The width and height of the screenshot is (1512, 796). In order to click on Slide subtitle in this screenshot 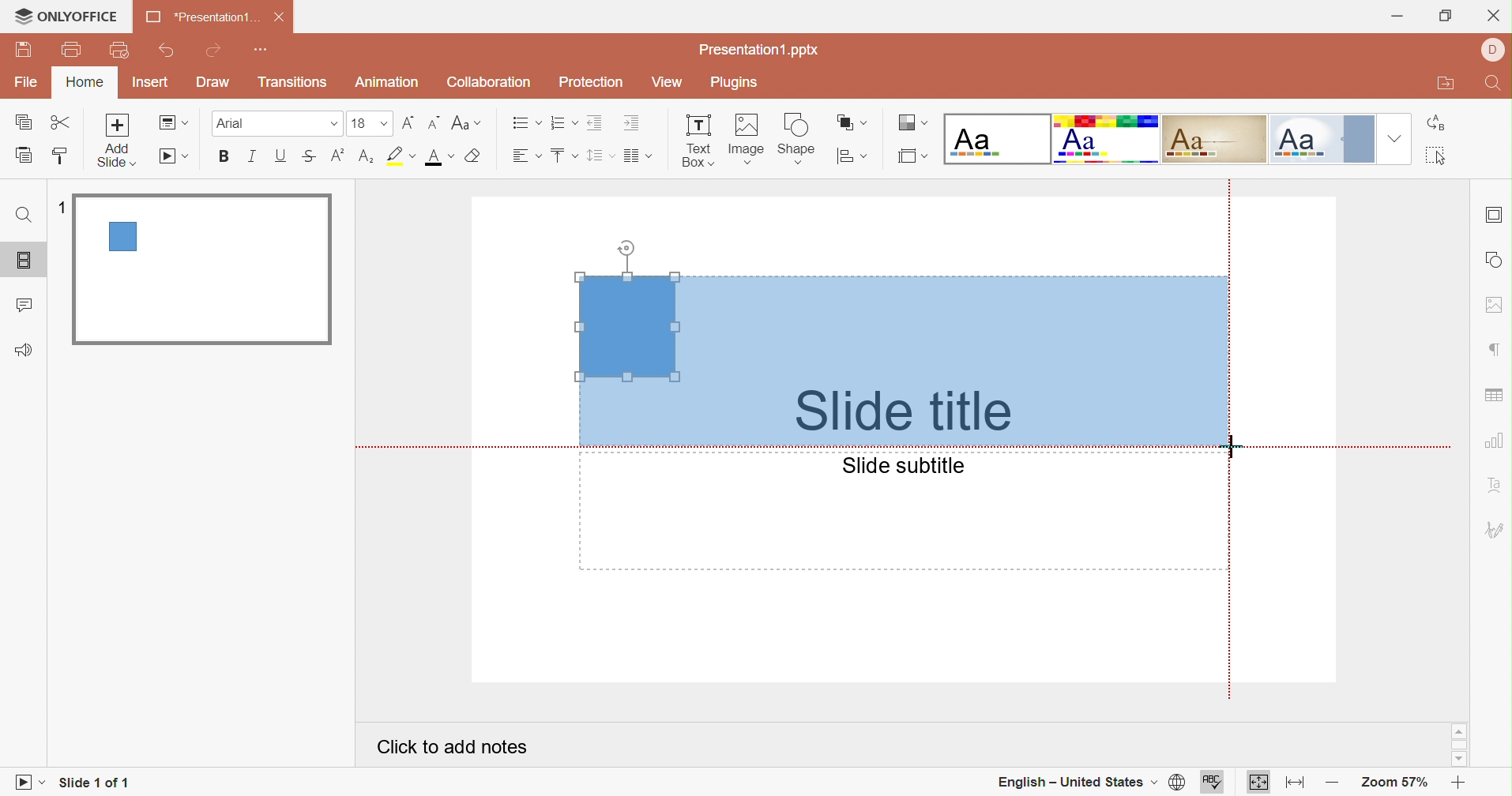, I will do `click(901, 465)`.